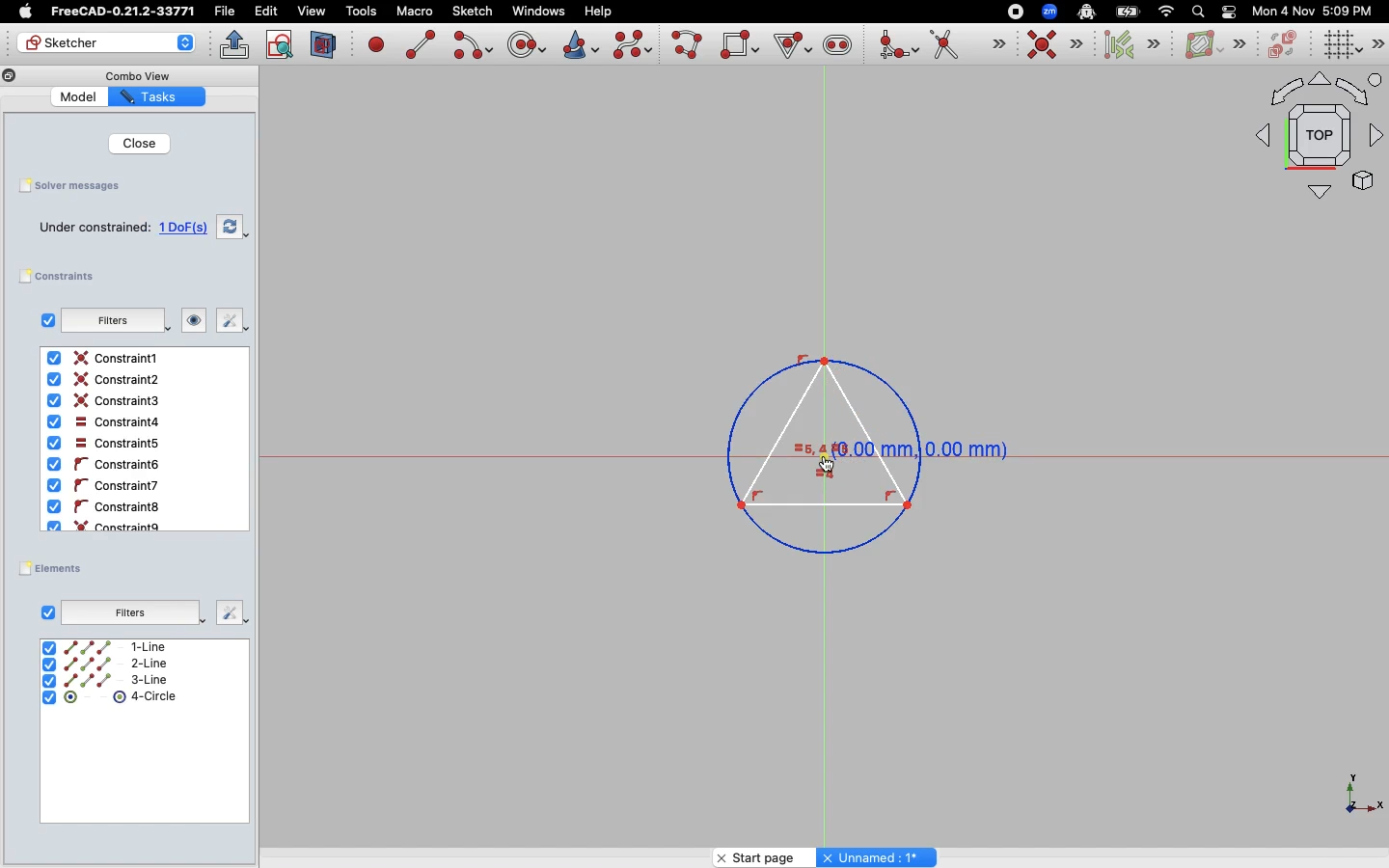 This screenshot has width=1389, height=868. What do you see at coordinates (579, 43) in the screenshot?
I see `Create conic` at bounding box center [579, 43].